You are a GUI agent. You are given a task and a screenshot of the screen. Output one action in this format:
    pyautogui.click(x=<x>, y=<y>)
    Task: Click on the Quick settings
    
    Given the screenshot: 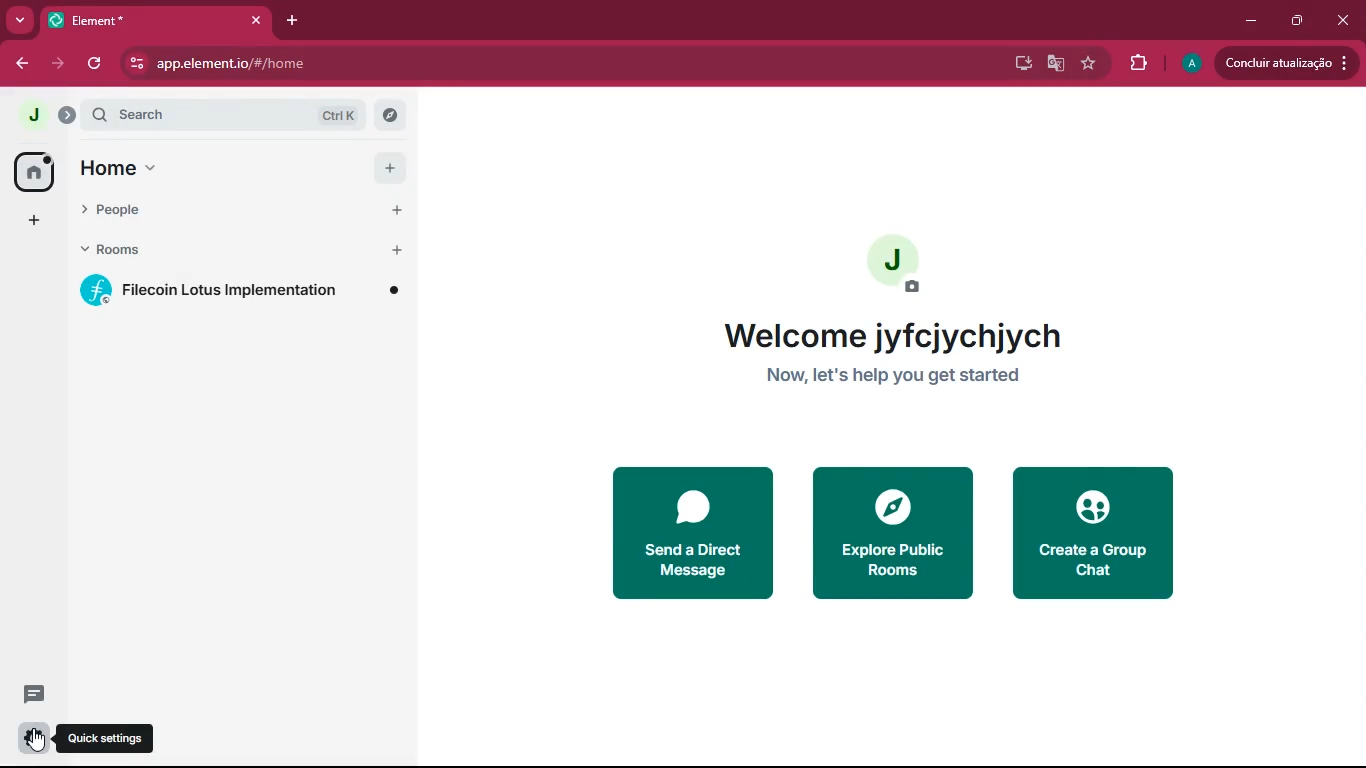 What is the action you would take?
    pyautogui.click(x=108, y=738)
    